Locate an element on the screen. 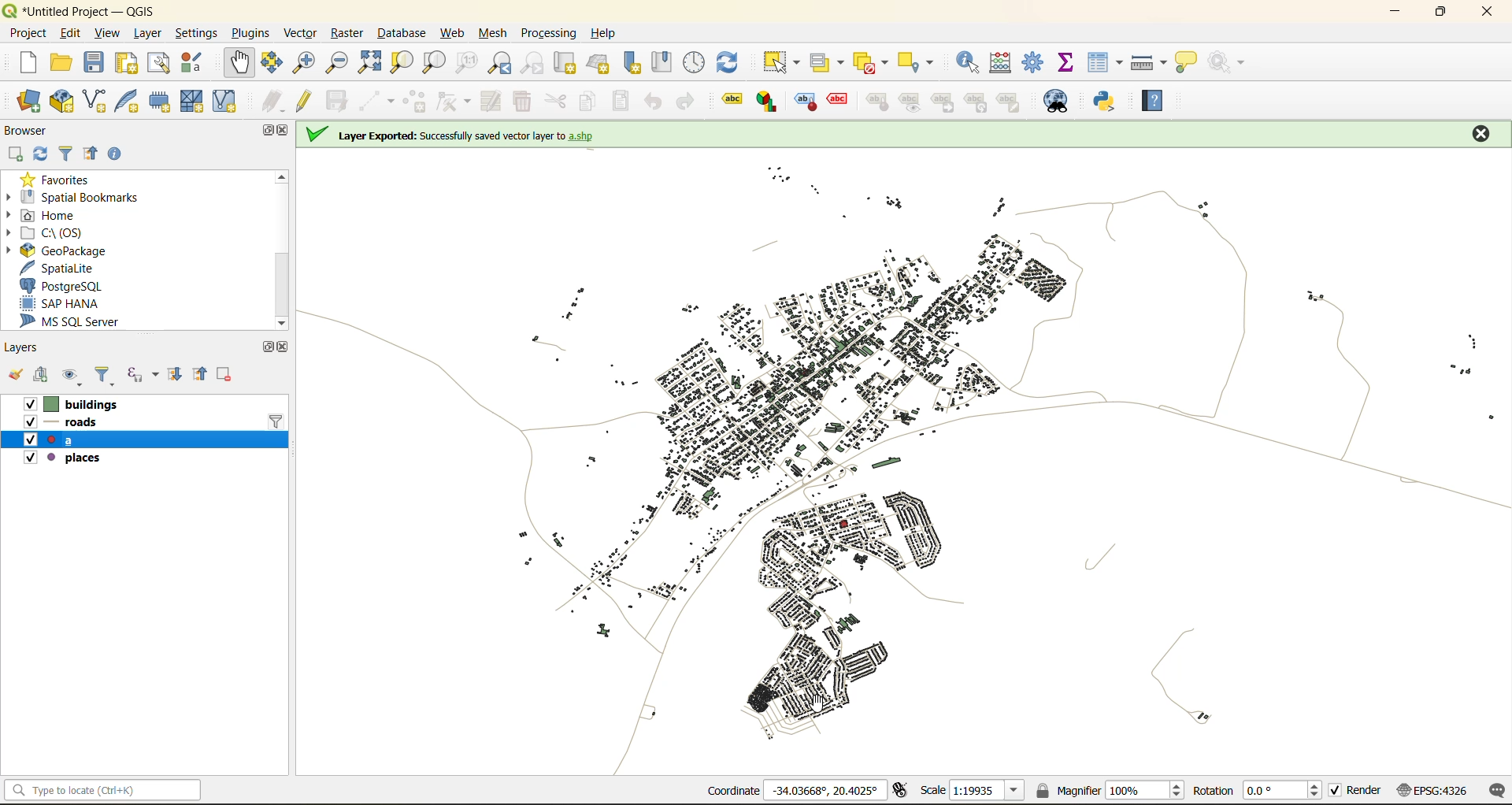  pan map is located at coordinates (242, 62).